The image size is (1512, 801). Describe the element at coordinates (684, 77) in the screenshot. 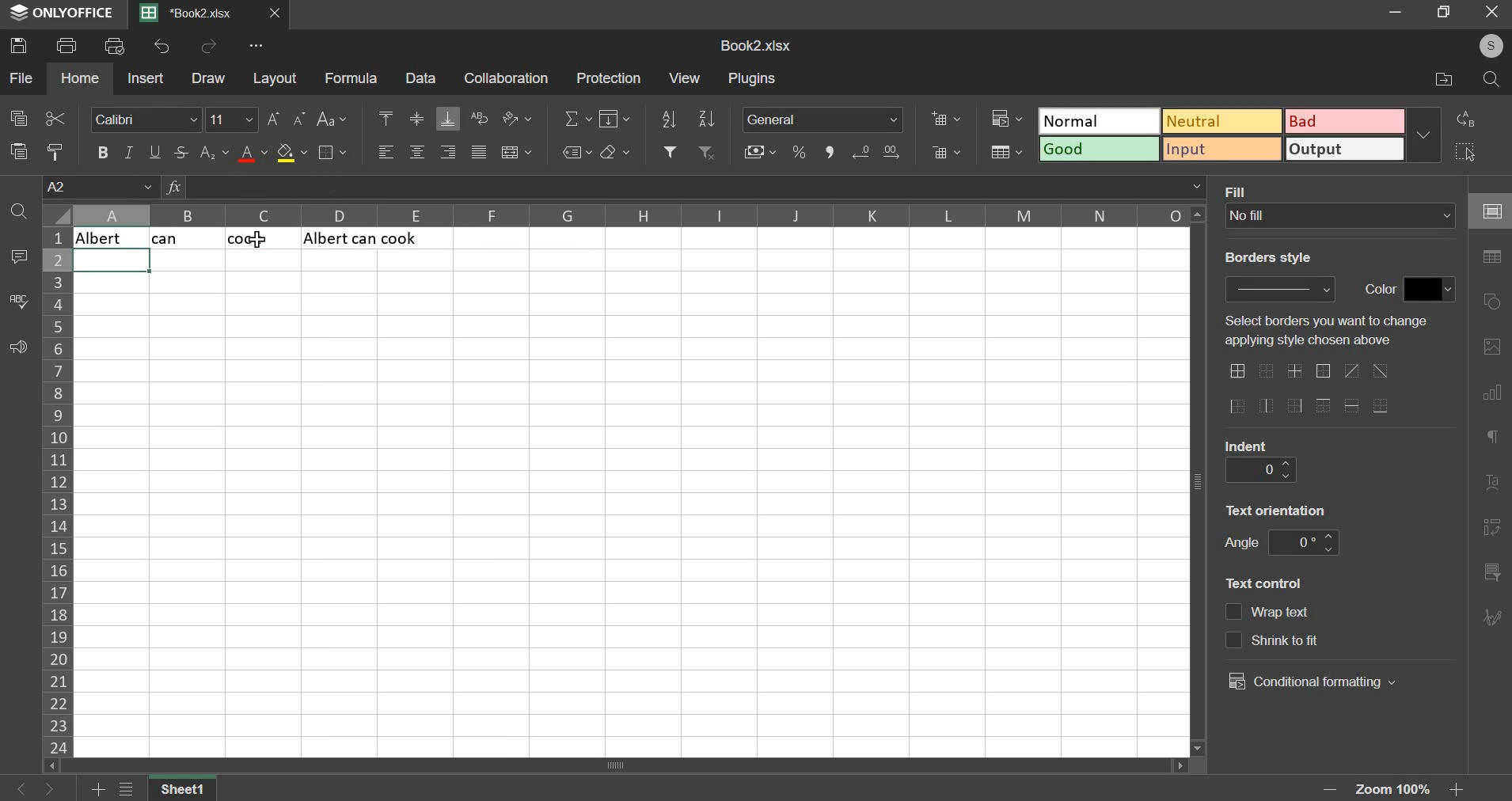

I see `view` at that location.